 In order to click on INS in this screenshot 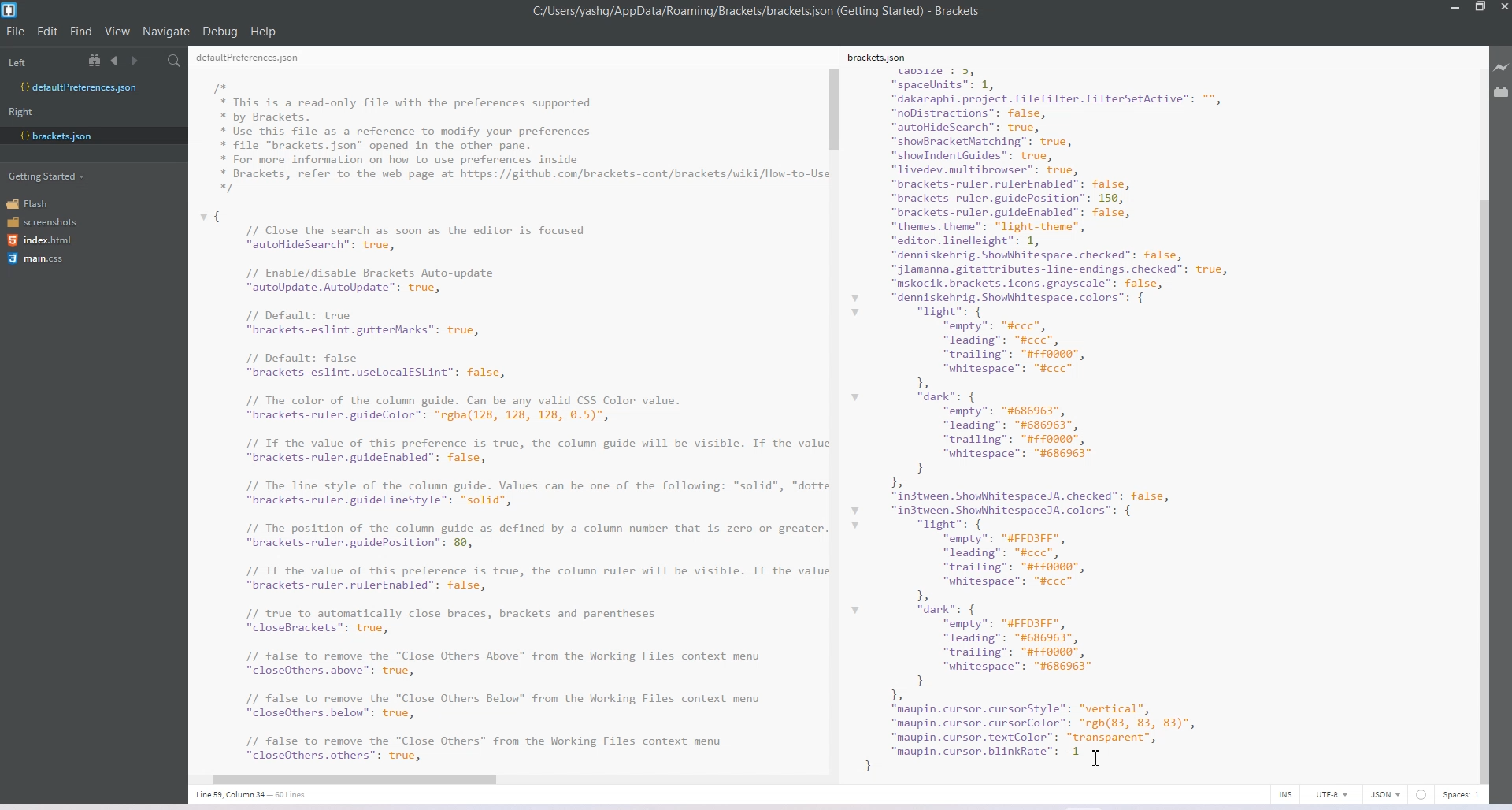, I will do `click(1285, 794)`.